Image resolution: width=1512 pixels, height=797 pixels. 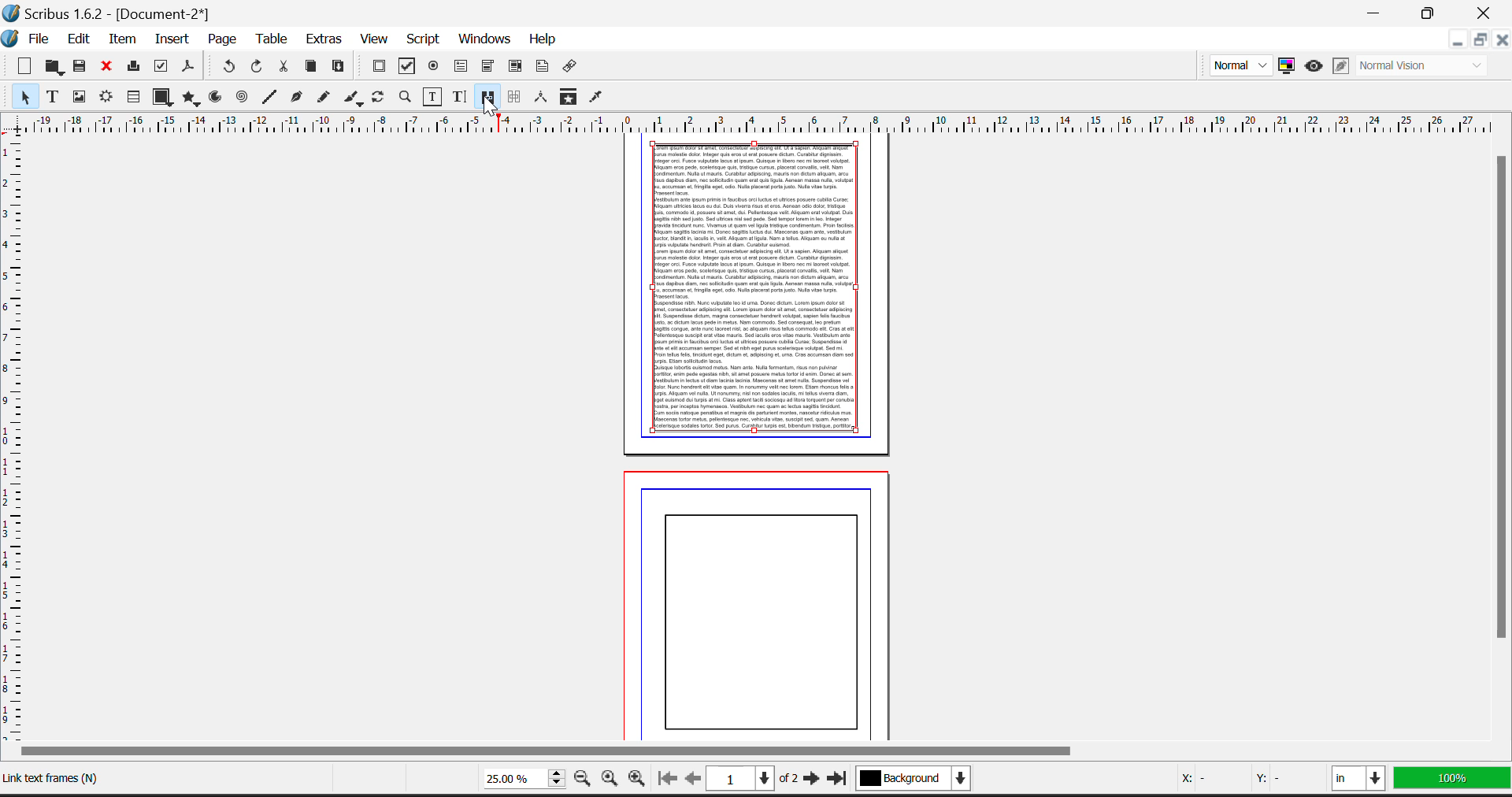 I want to click on Windows, so click(x=484, y=40).